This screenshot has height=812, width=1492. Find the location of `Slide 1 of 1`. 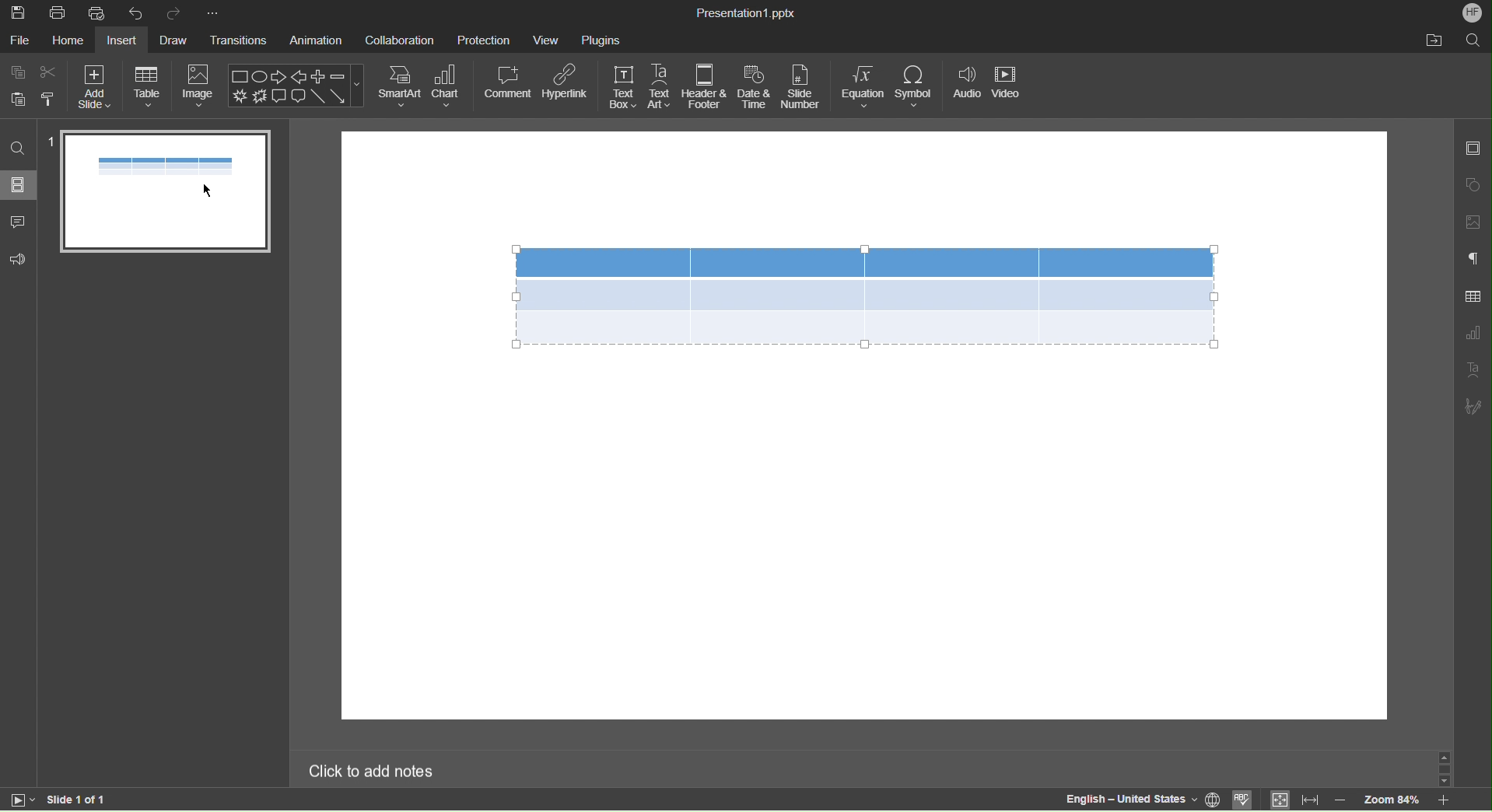

Slide 1 of 1 is located at coordinates (77, 799).